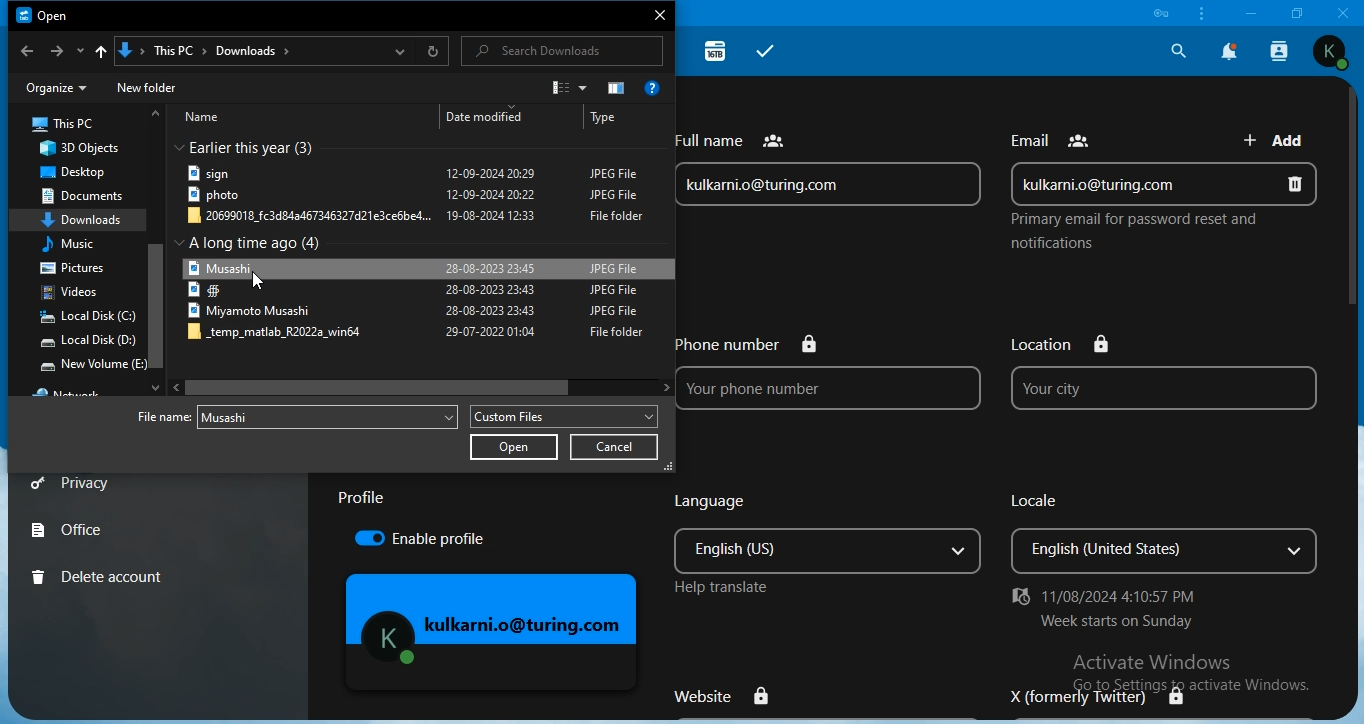 The image size is (1364, 724). What do you see at coordinates (93, 365) in the screenshot?
I see `new volume e` at bounding box center [93, 365].